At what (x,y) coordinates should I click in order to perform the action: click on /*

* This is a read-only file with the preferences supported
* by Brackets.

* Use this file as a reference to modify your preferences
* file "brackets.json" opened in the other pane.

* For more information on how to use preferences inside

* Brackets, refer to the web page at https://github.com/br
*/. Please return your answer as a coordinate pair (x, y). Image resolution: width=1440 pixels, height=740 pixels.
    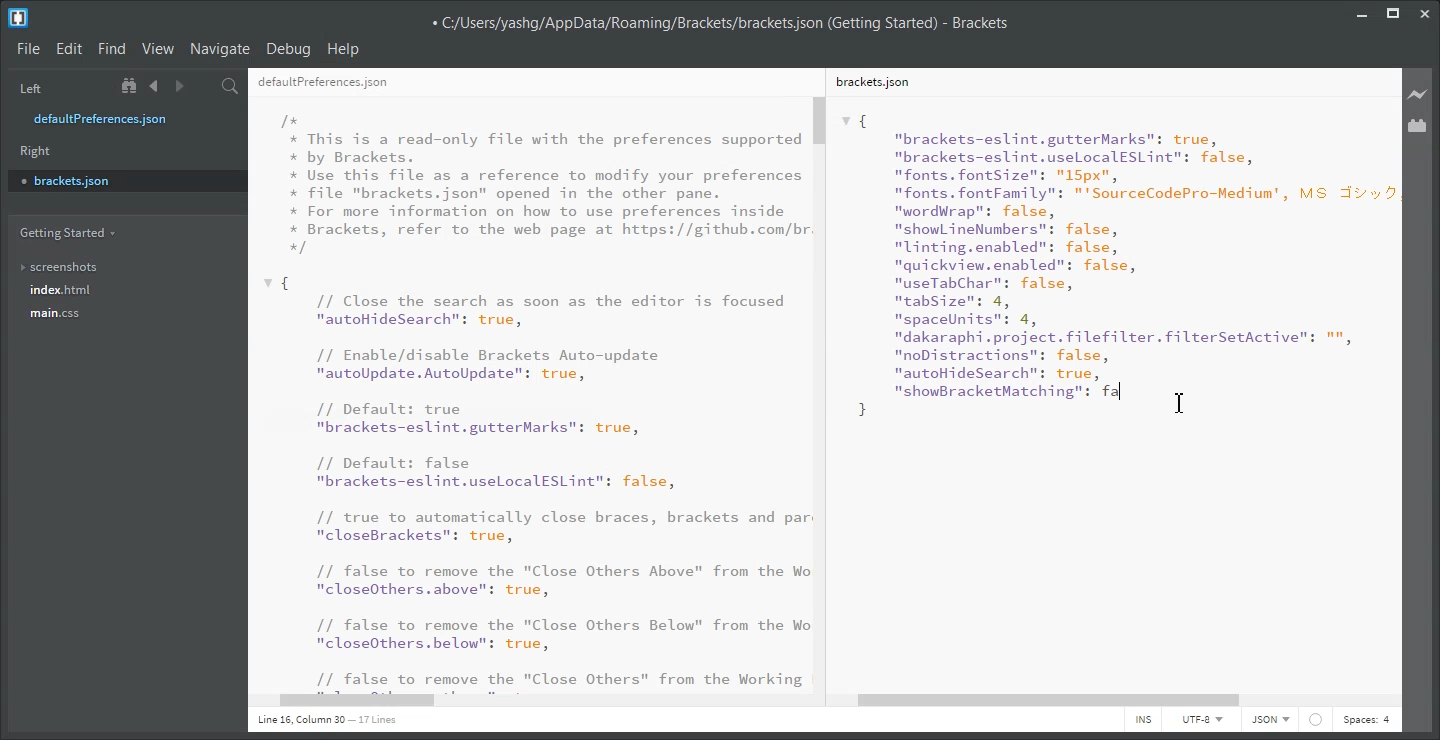
    Looking at the image, I should click on (546, 184).